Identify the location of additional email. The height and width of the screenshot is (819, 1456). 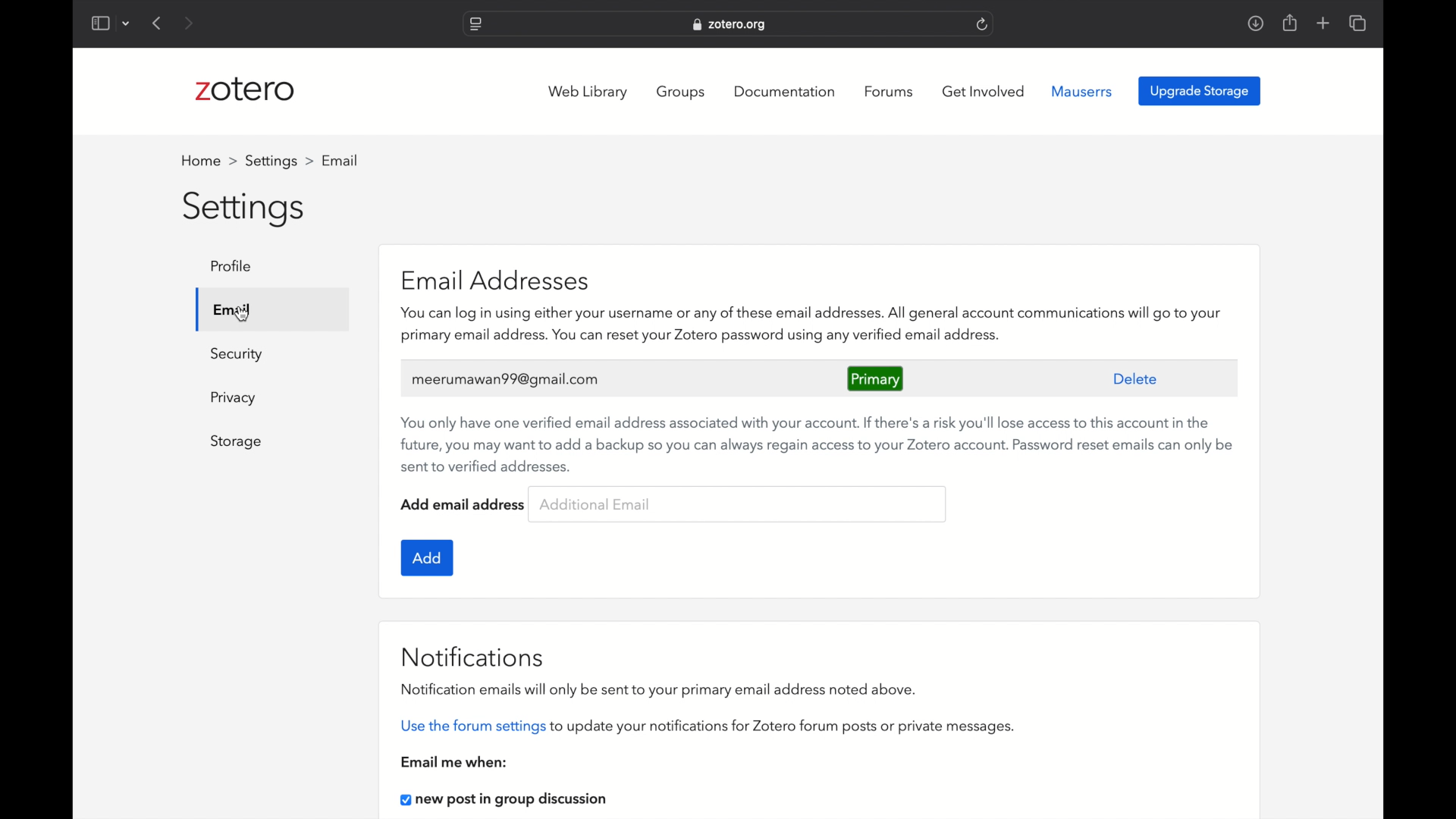
(597, 504).